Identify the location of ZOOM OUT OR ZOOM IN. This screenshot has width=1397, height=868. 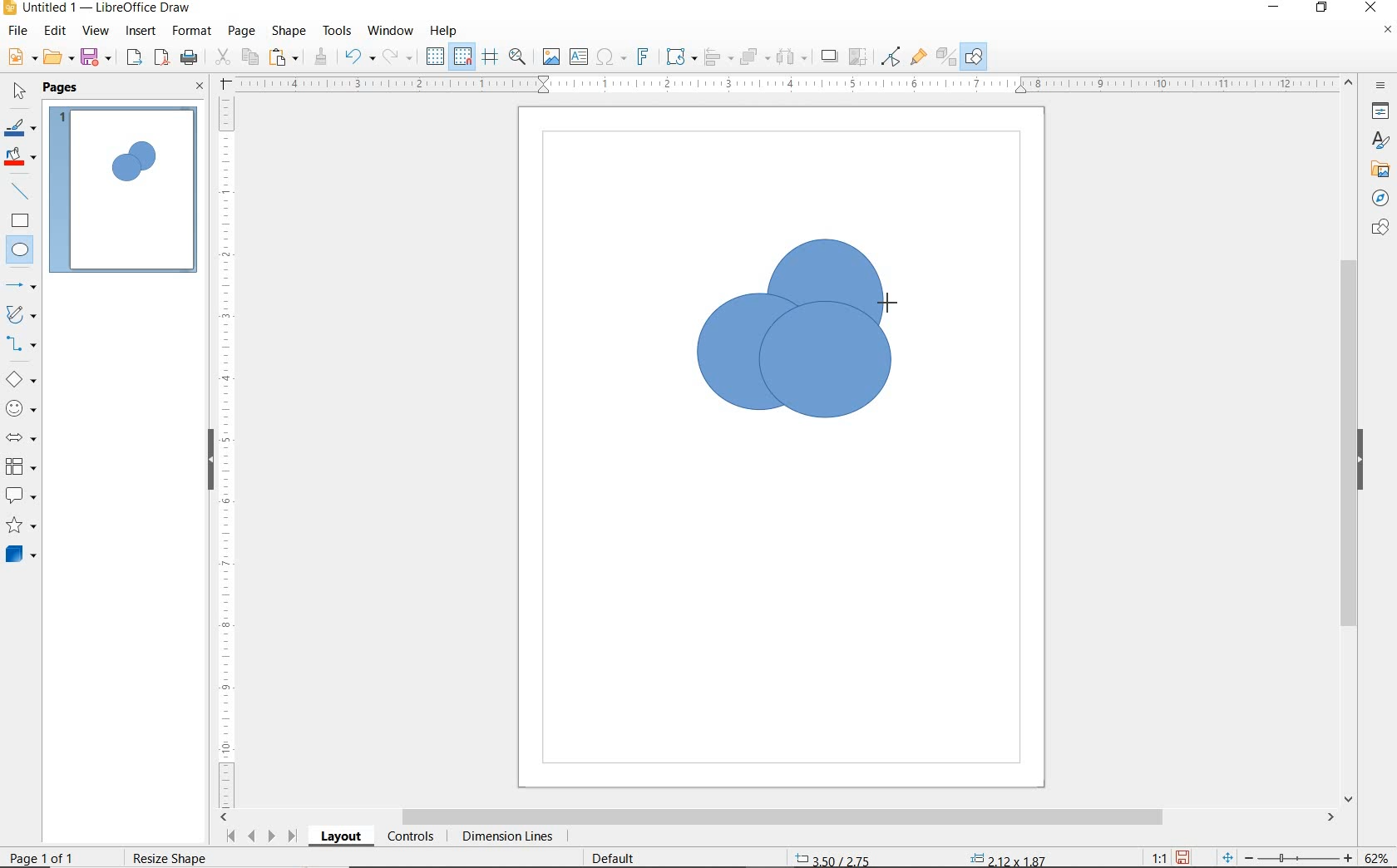
(1287, 858).